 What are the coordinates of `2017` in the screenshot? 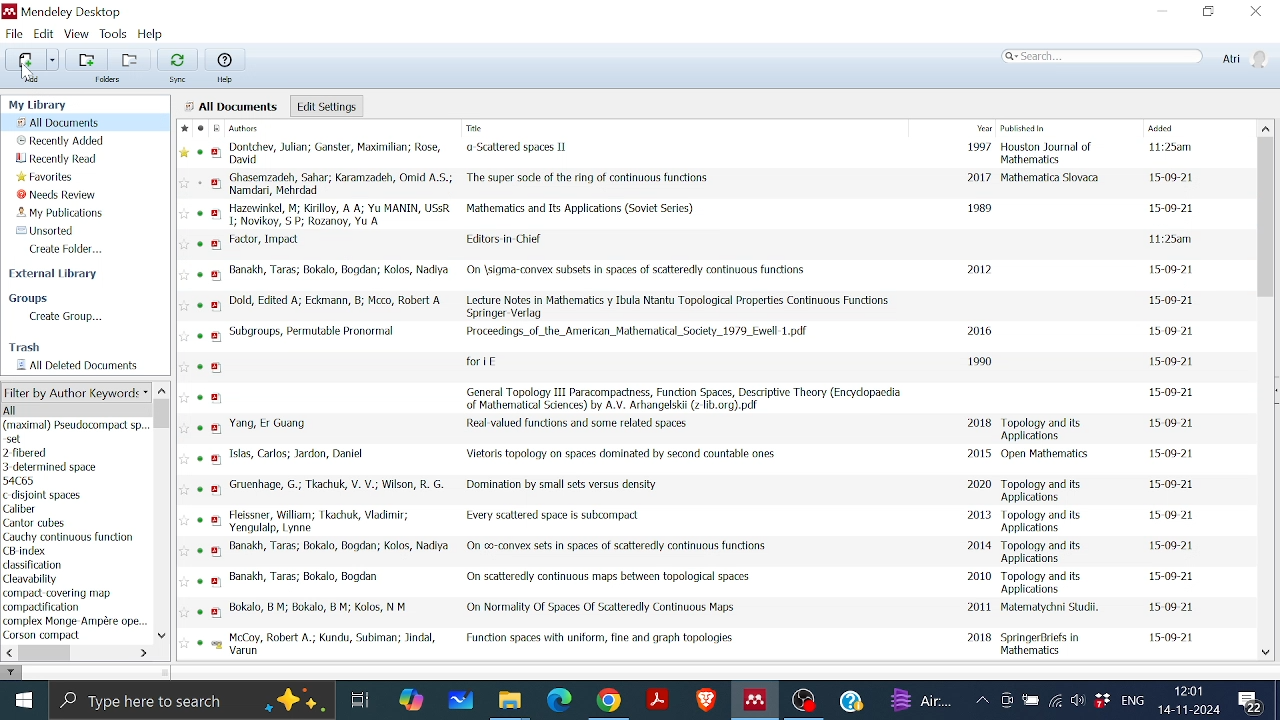 It's located at (976, 178).